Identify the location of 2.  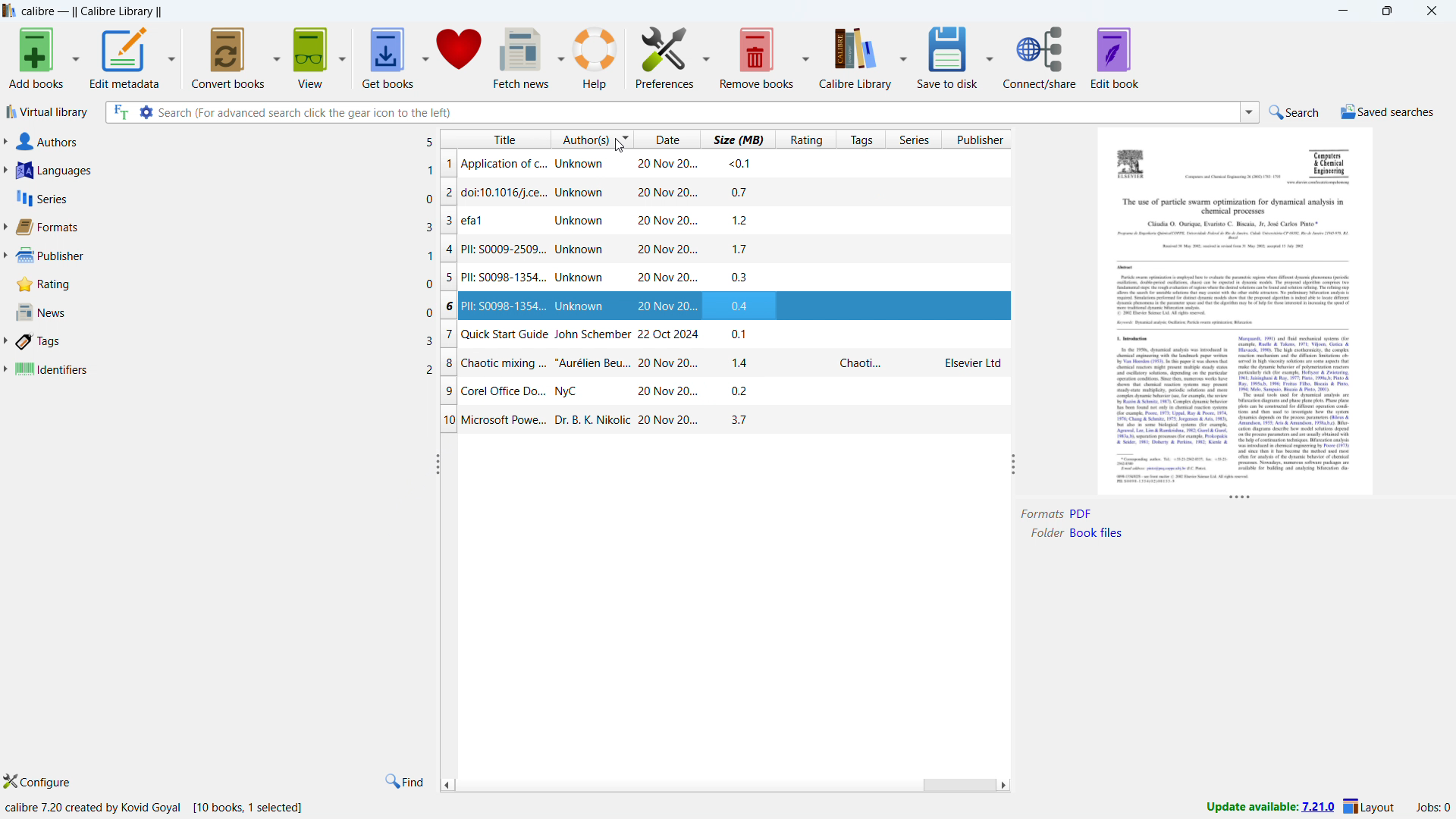
(447, 196).